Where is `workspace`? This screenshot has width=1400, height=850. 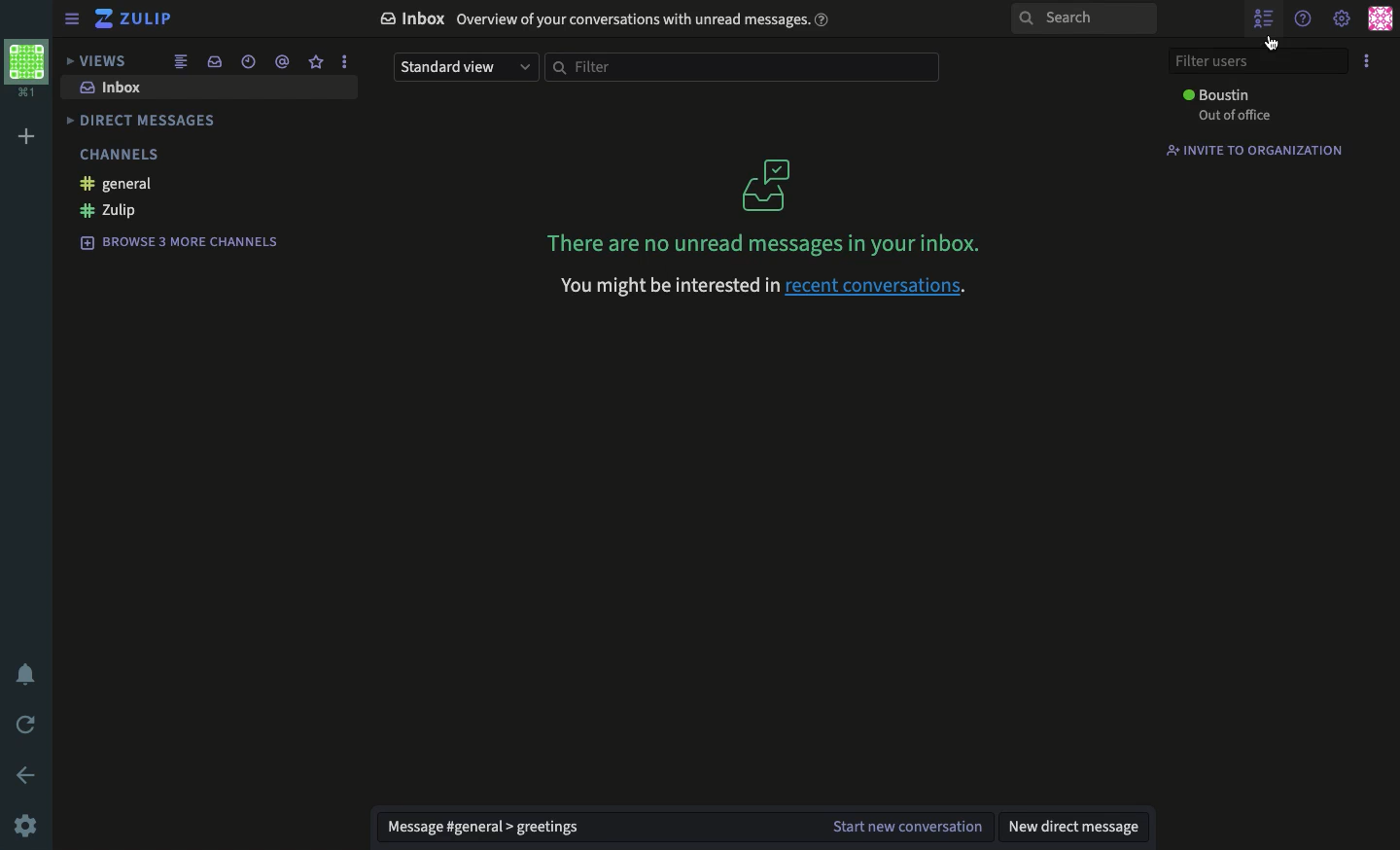
workspace is located at coordinates (26, 71).